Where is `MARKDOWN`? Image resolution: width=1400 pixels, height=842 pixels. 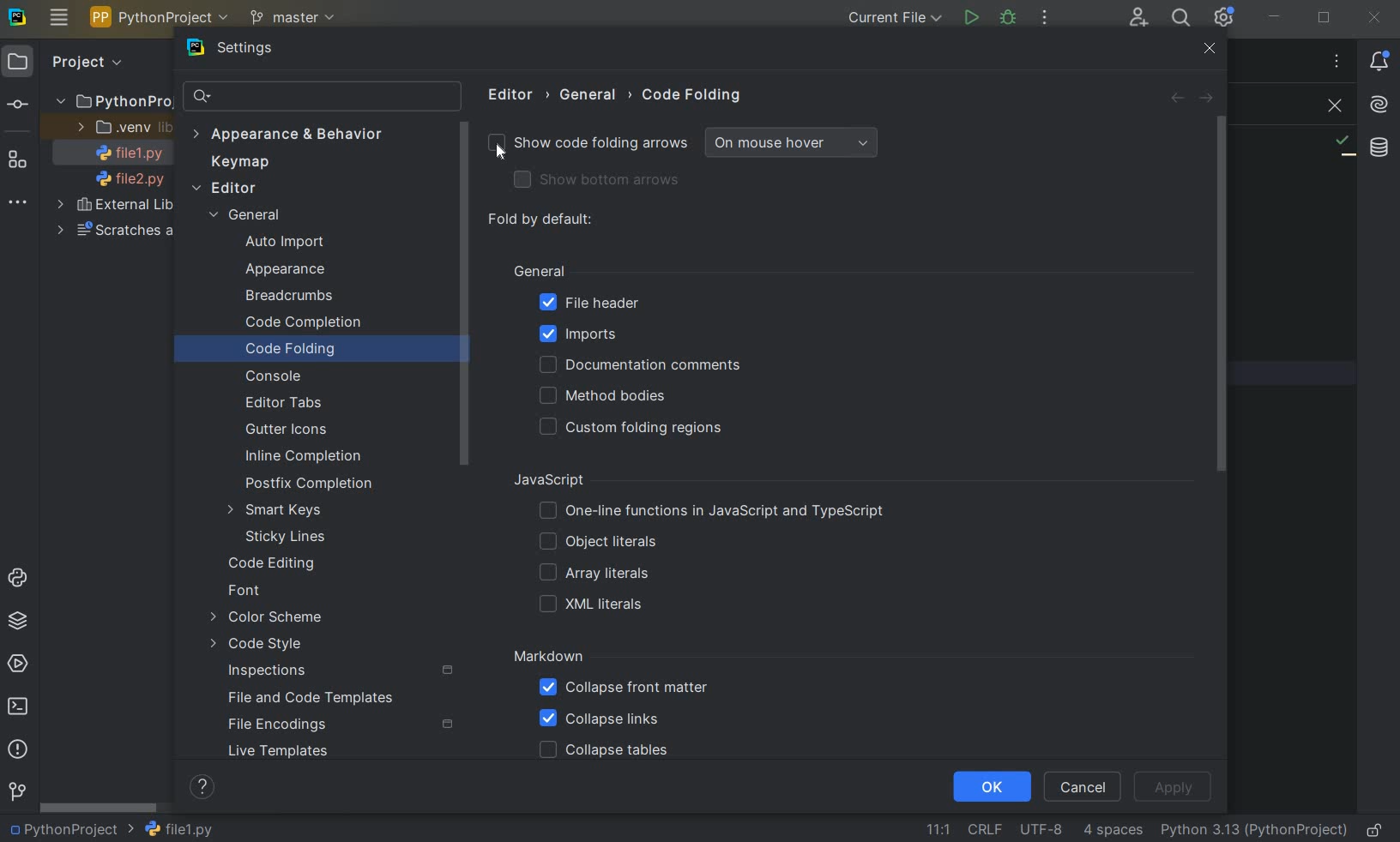 MARKDOWN is located at coordinates (549, 657).